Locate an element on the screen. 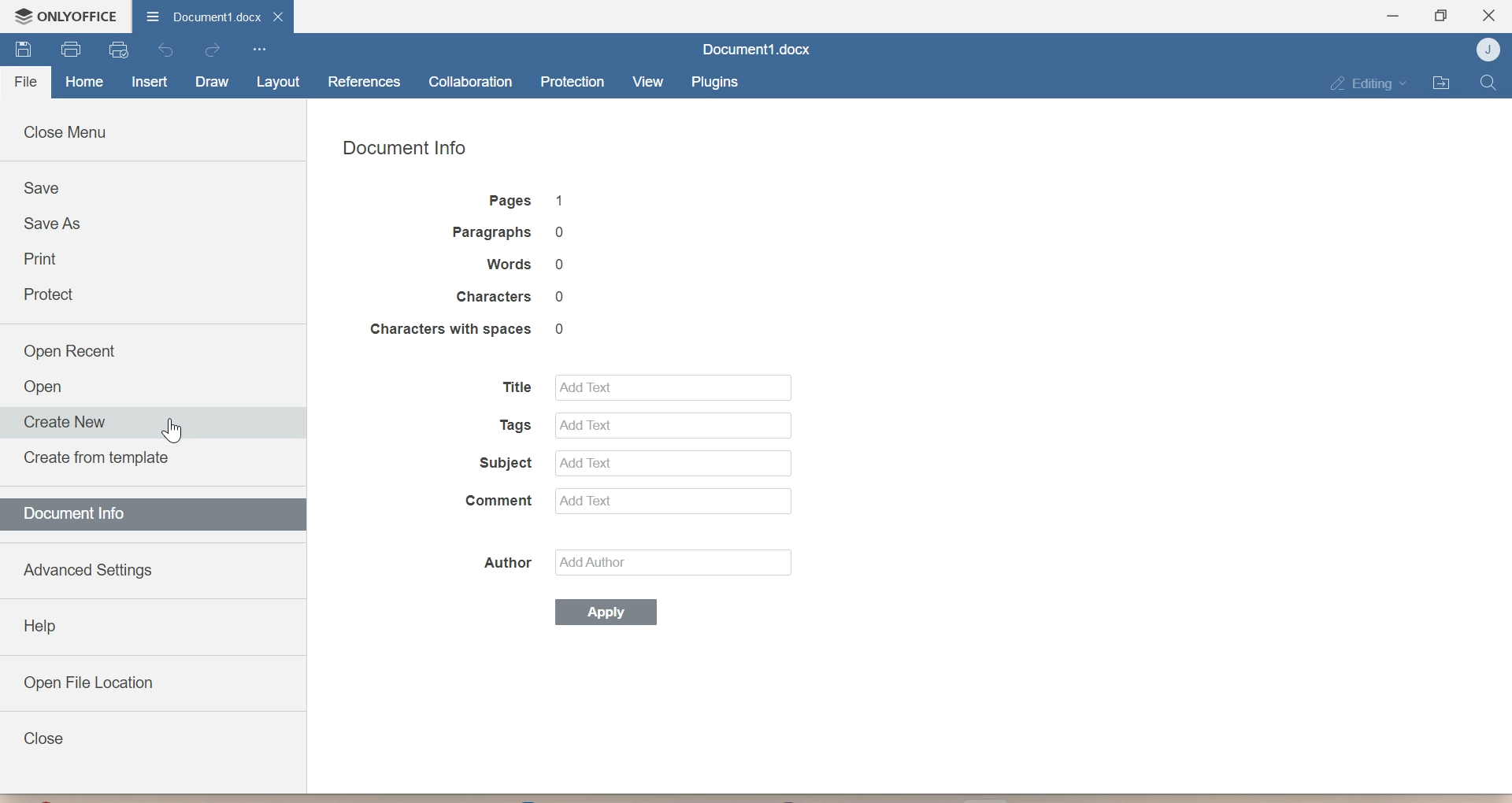  Add text is located at coordinates (669, 424).